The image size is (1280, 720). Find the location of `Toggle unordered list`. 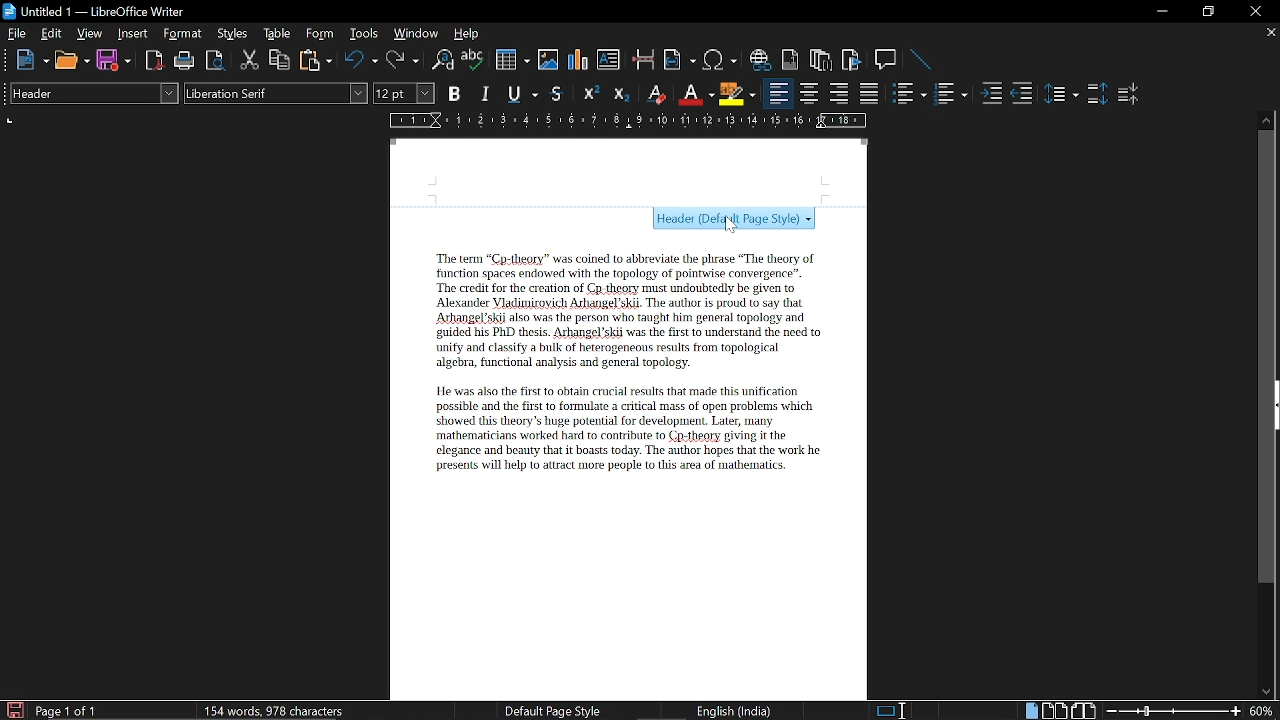

Toggle unordered list is located at coordinates (949, 94).